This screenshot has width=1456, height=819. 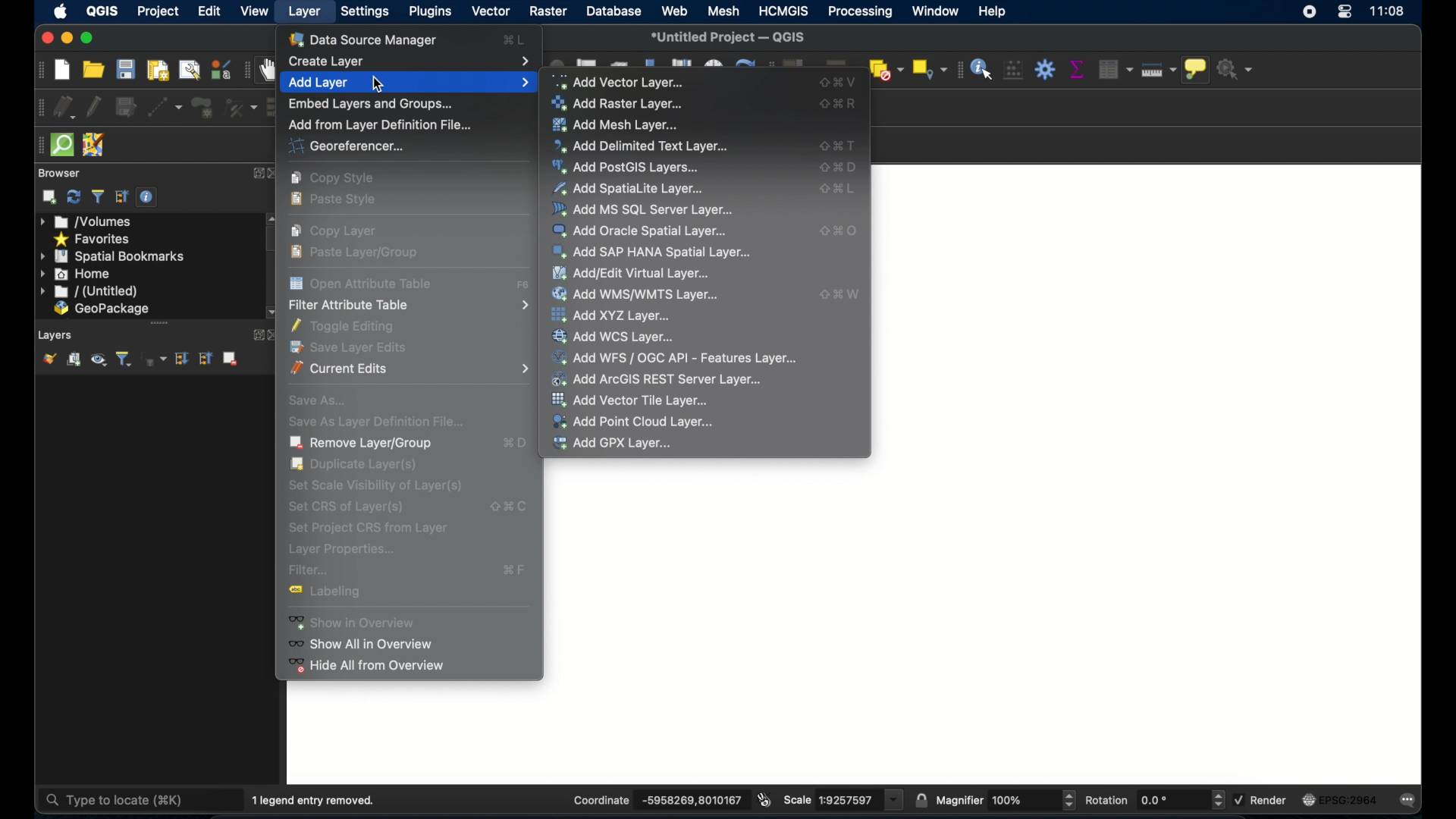 I want to click on add wms/wmts layer, so click(x=840, y=293).